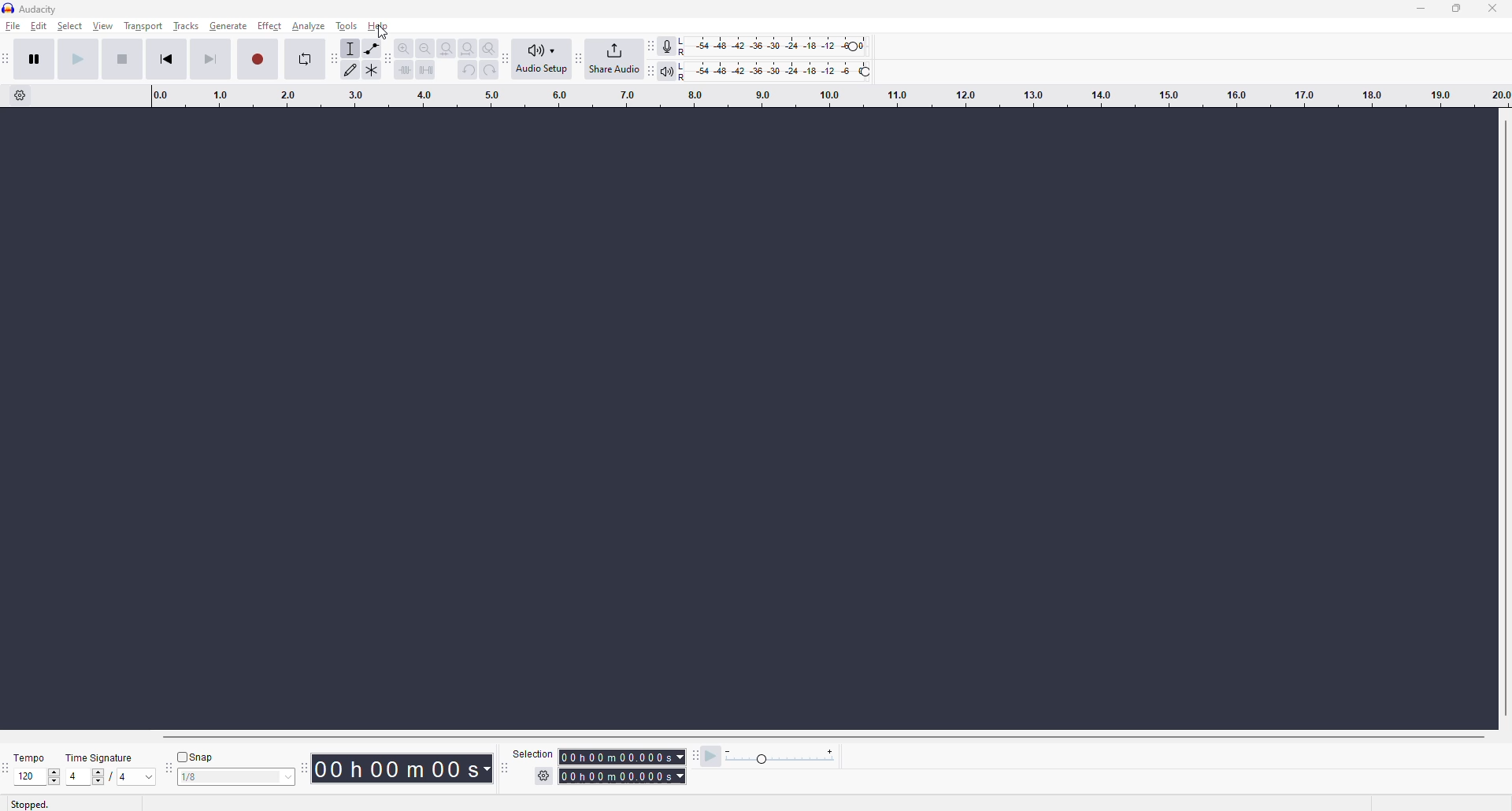 The height and width of the screenshot is (811, 1512). What do you see at coordinates (535, 750) in the screenshot?
I see `selection` at bounding box center [535, 750].